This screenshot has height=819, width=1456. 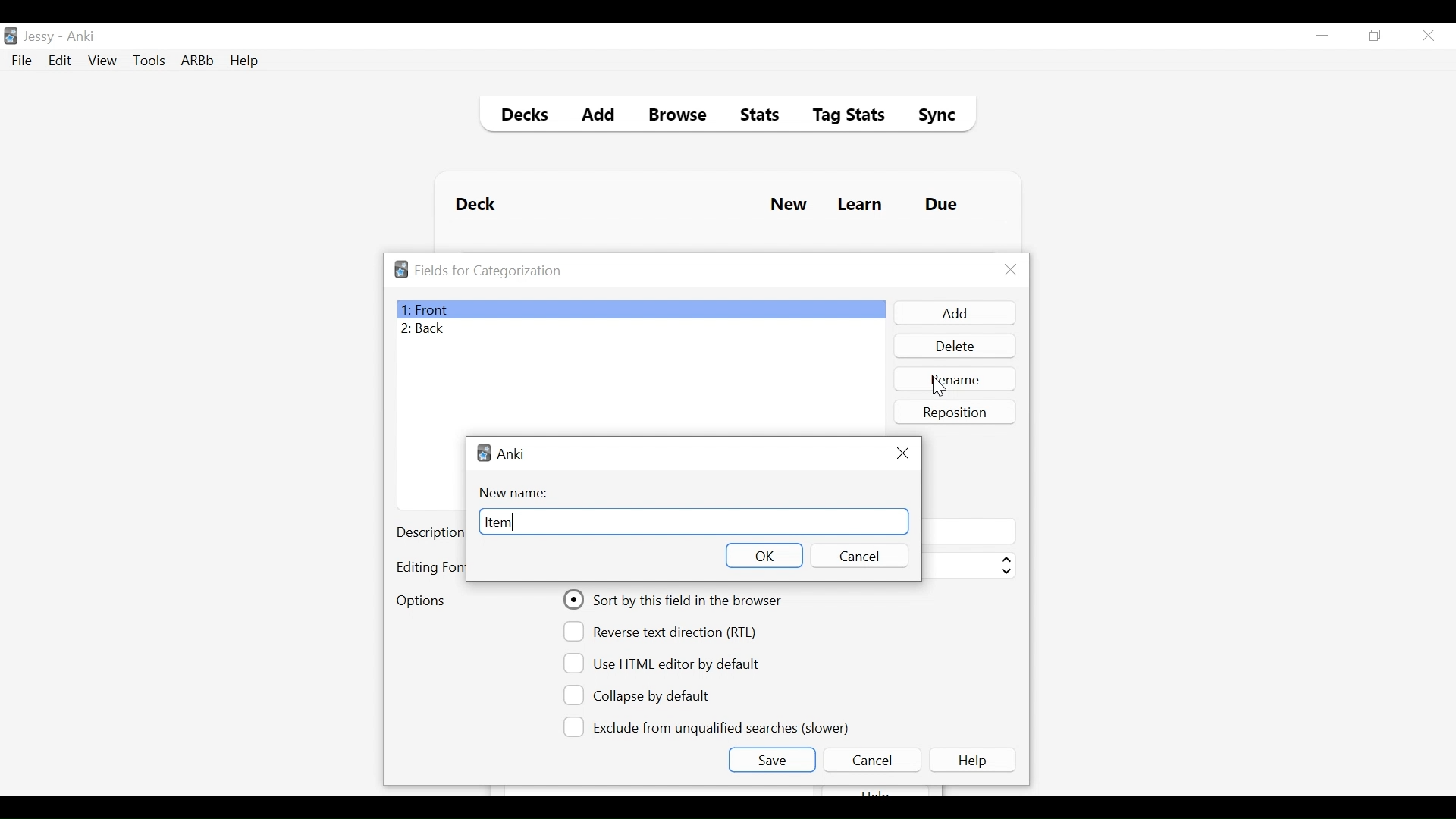 I want to click on Add, so click(x=953, y=313).